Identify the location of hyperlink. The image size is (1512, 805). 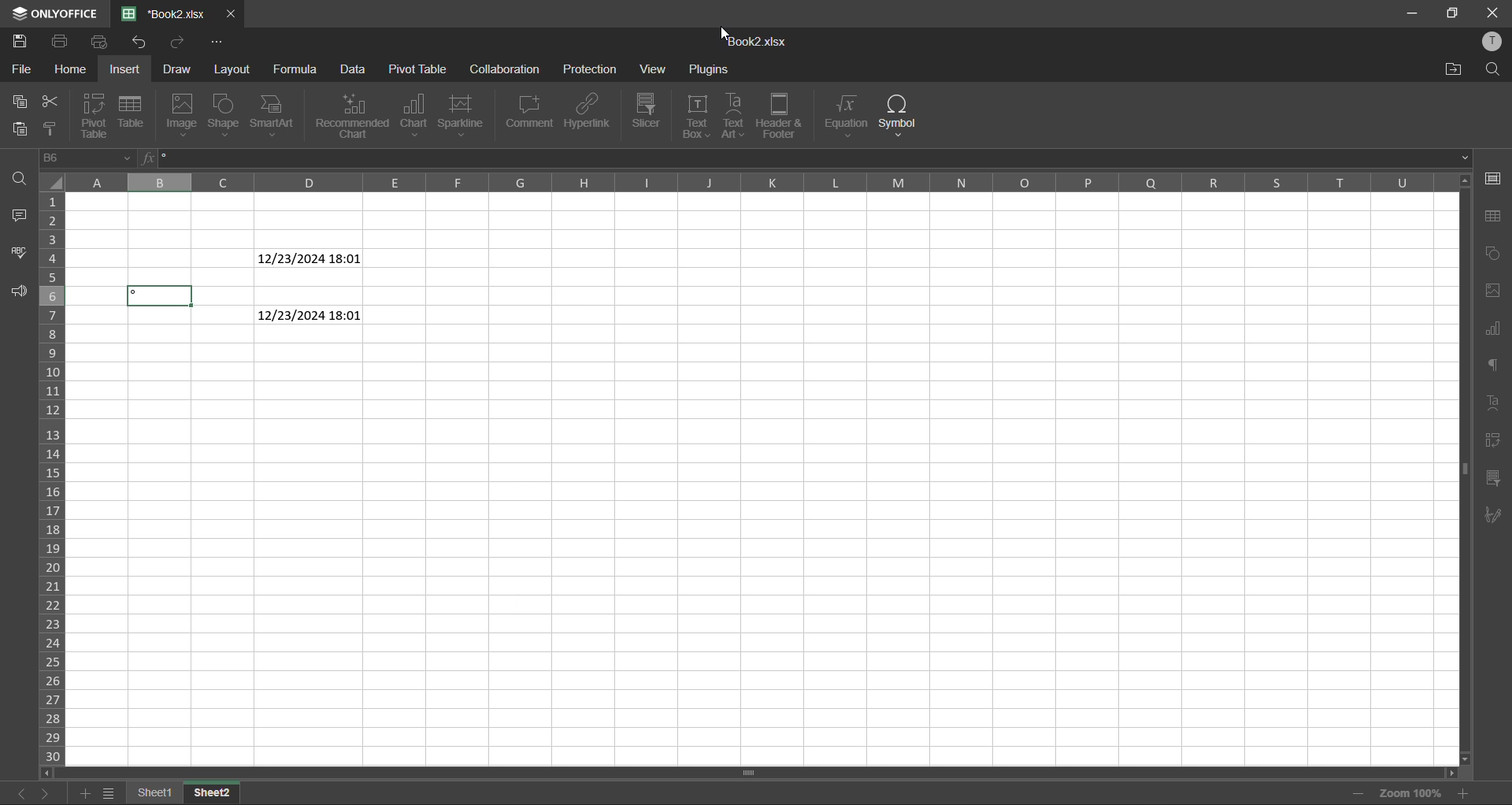
(594, 110).